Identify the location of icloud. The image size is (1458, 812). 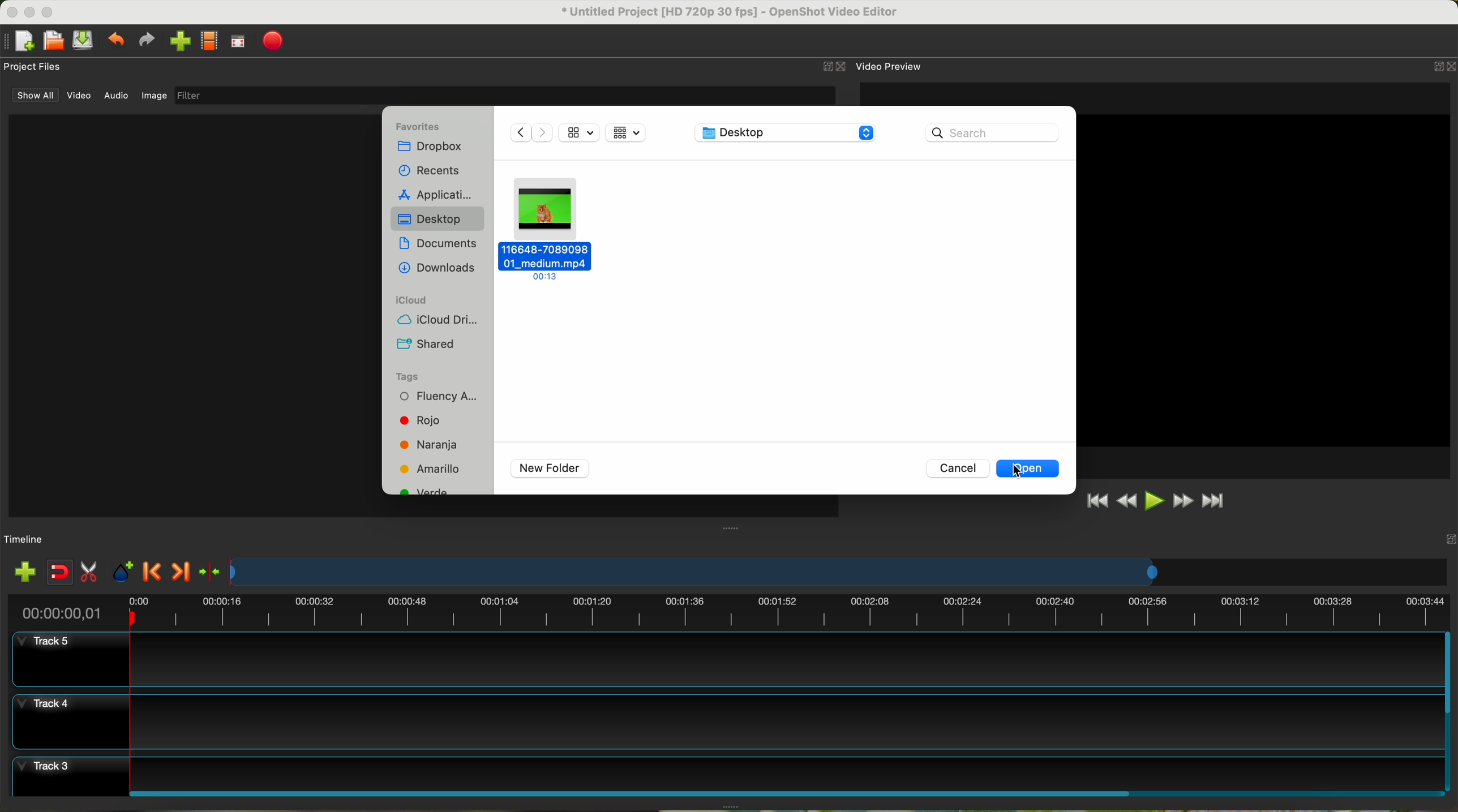
(413, 300).